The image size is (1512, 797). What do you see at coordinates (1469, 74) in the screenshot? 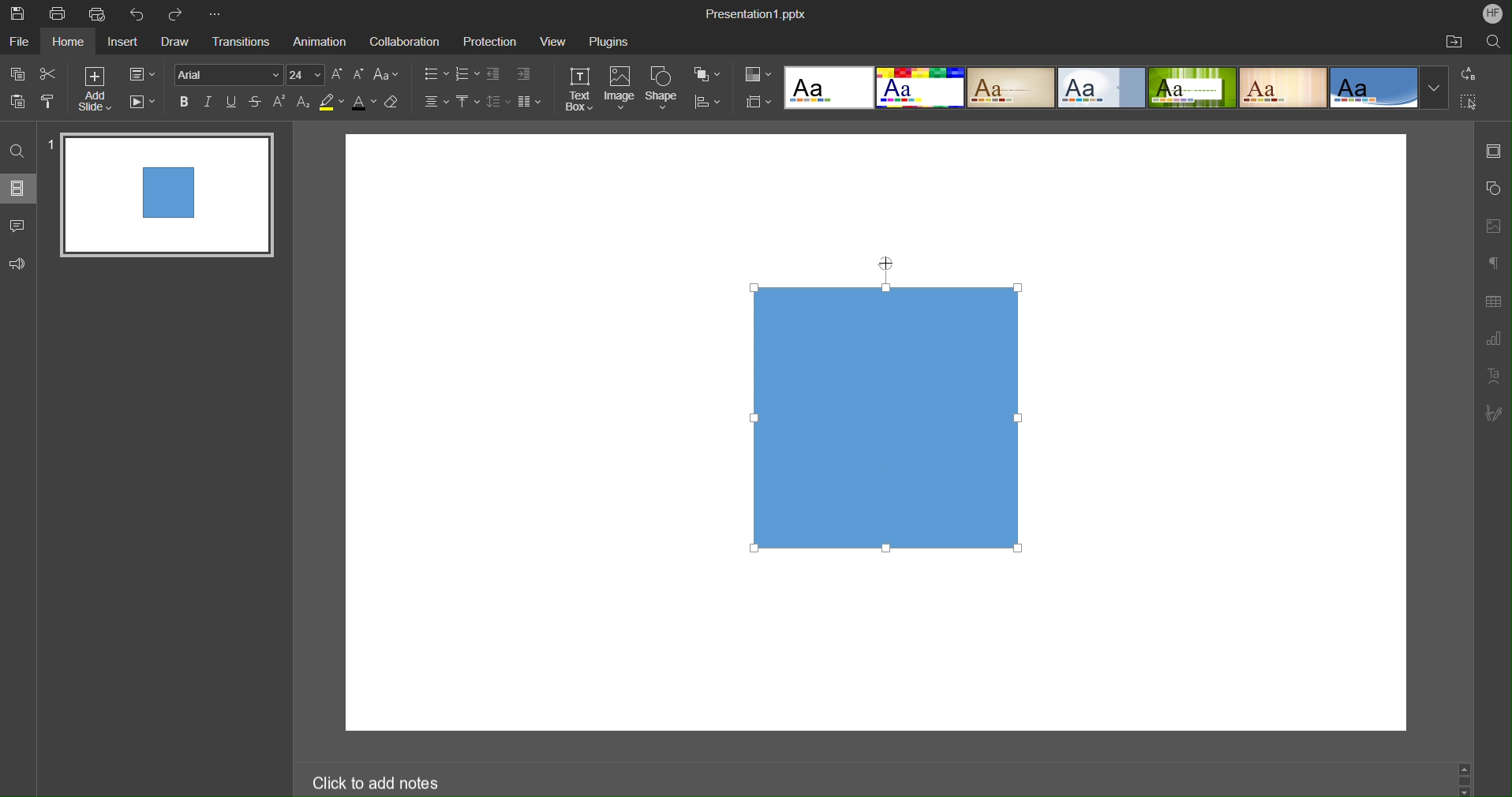
I see `Replace` at bounding box center [1469, 74].